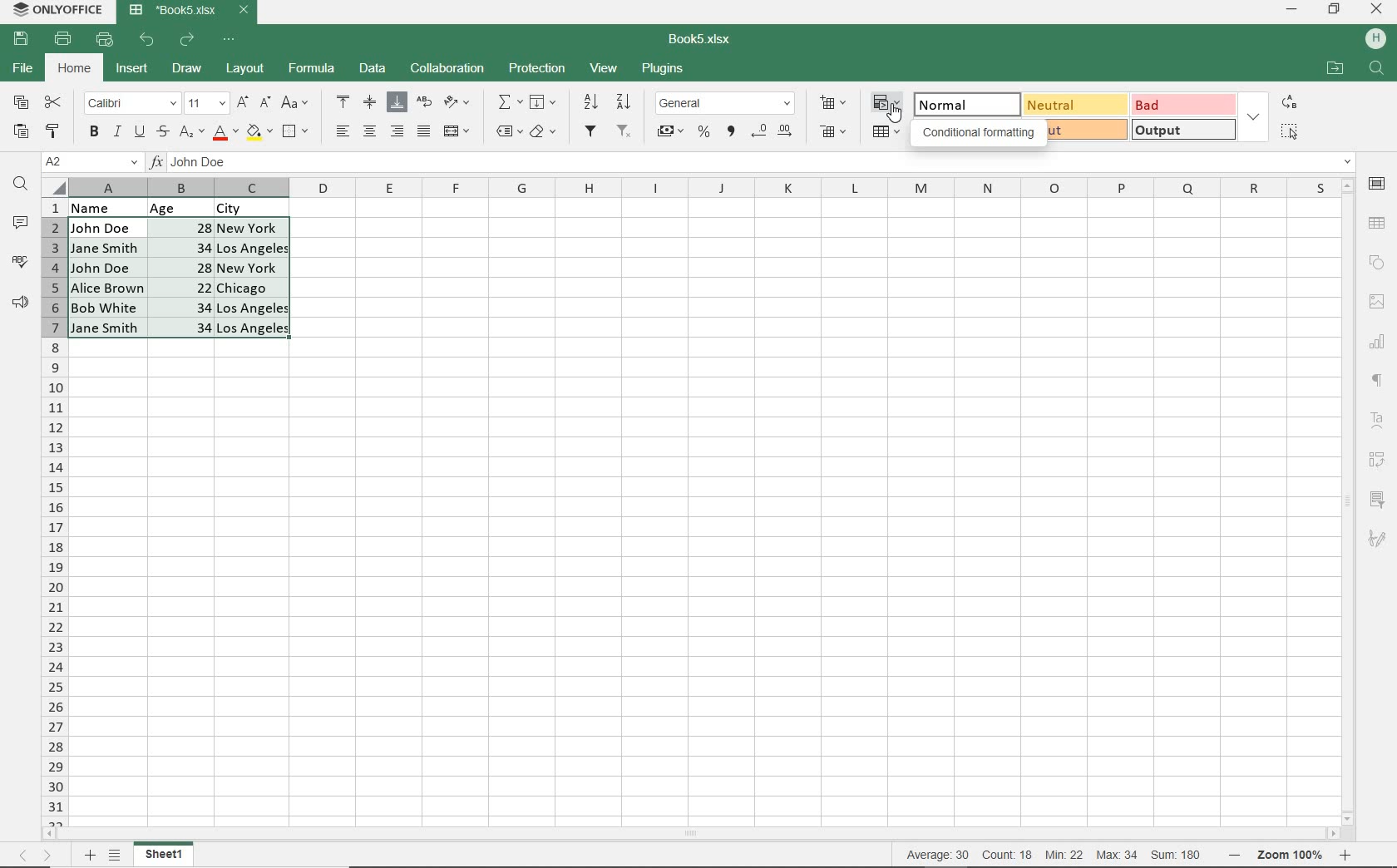  I want to click on RESTORE DOWN, so click(1336, 8).